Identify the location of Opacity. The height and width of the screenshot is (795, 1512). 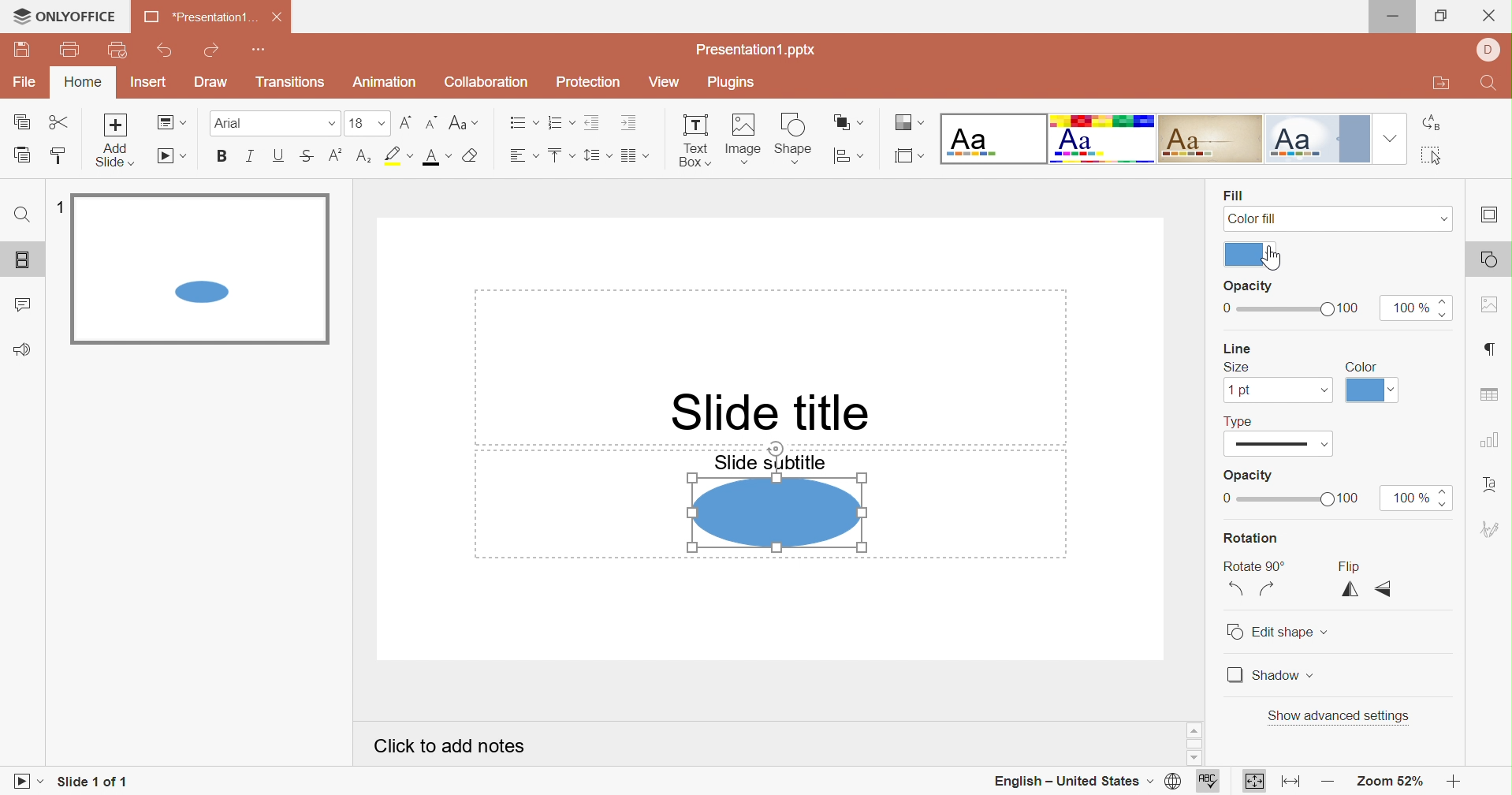
(1246, 475).